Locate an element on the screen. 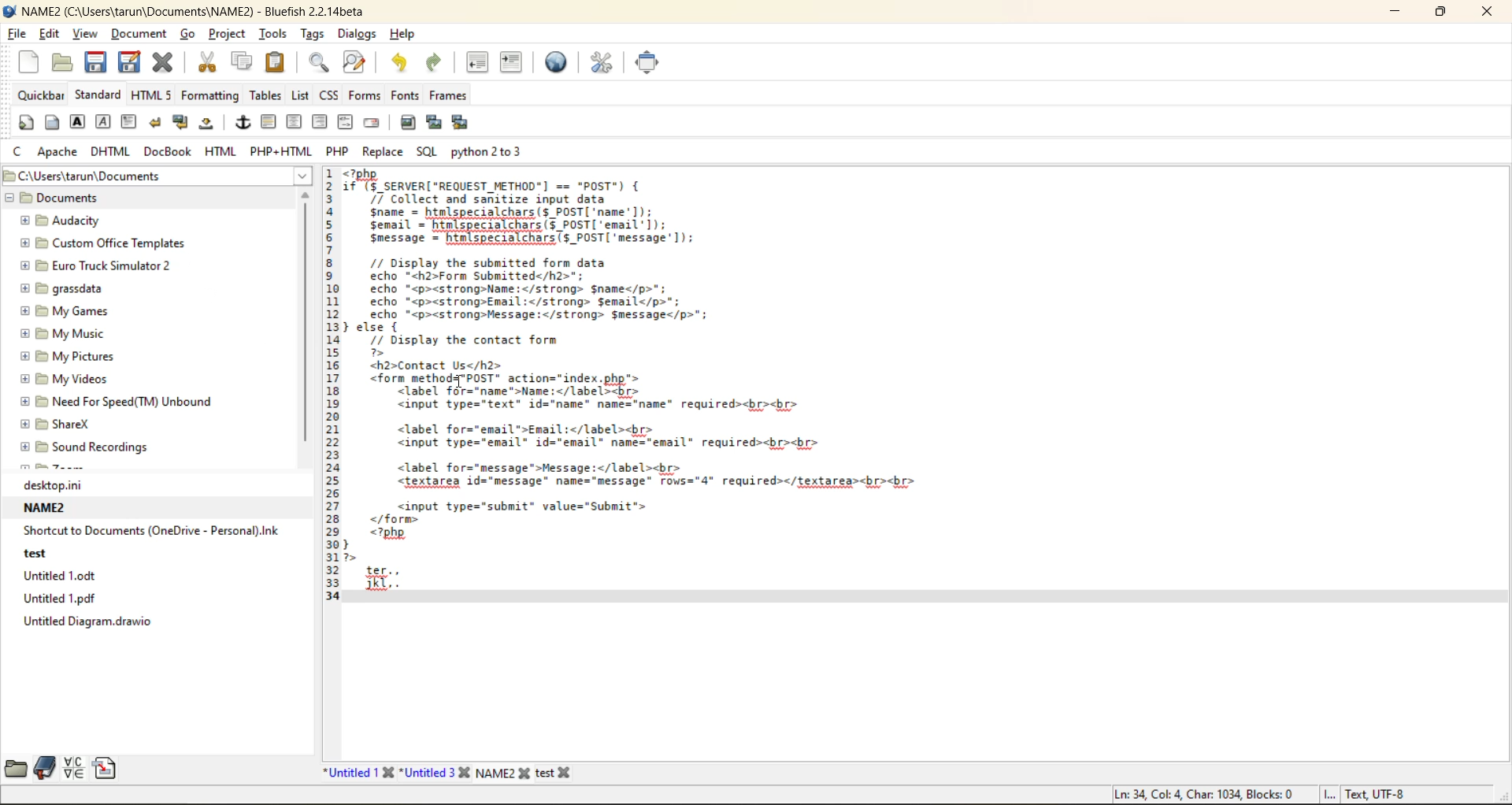 This screenshot has height=805, width=1512. name2 is located at coordinates (50, 510).